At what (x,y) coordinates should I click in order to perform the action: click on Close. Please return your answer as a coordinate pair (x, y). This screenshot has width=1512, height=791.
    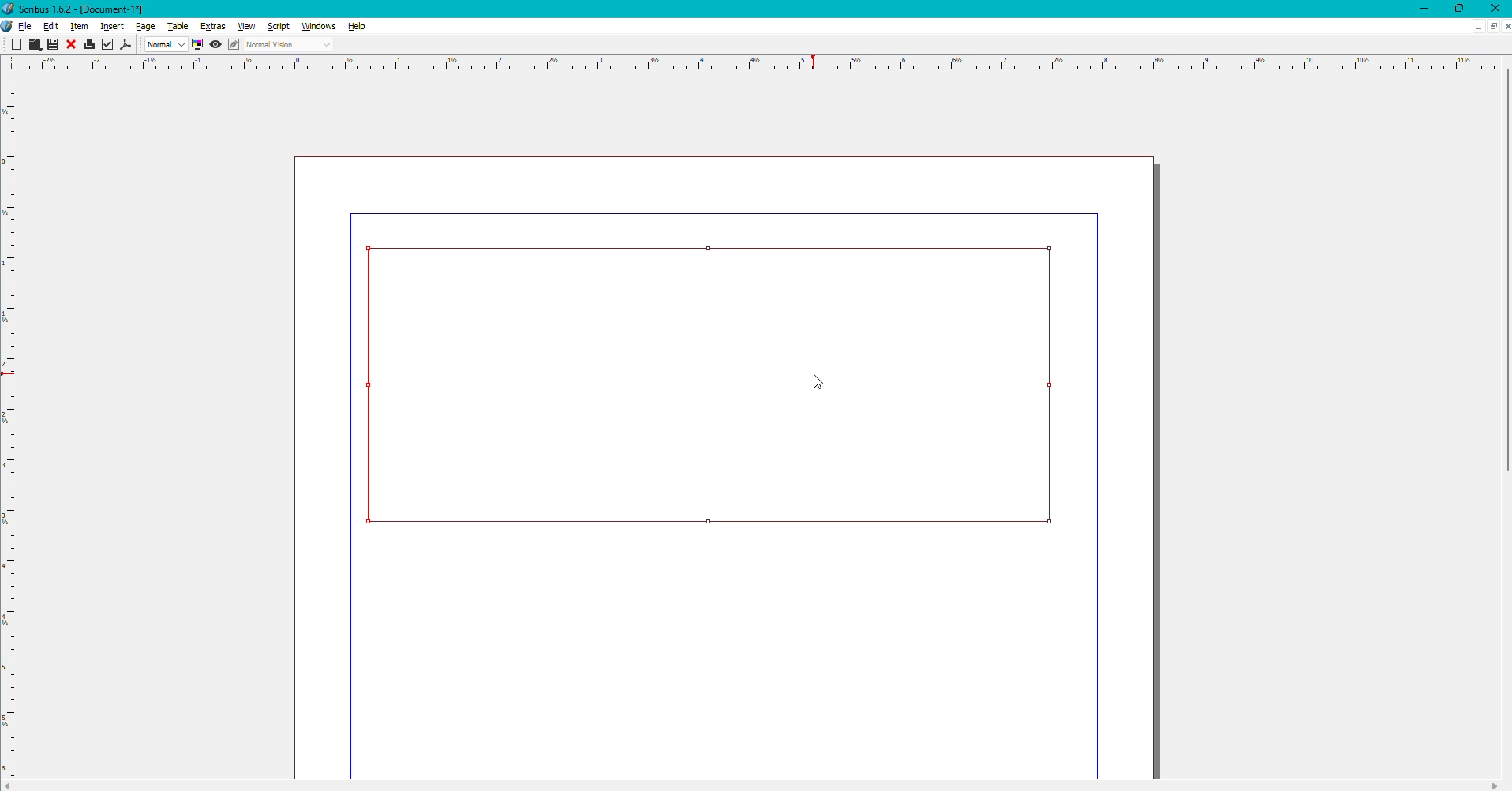
    Looking at the image, I should click on (70, 43).